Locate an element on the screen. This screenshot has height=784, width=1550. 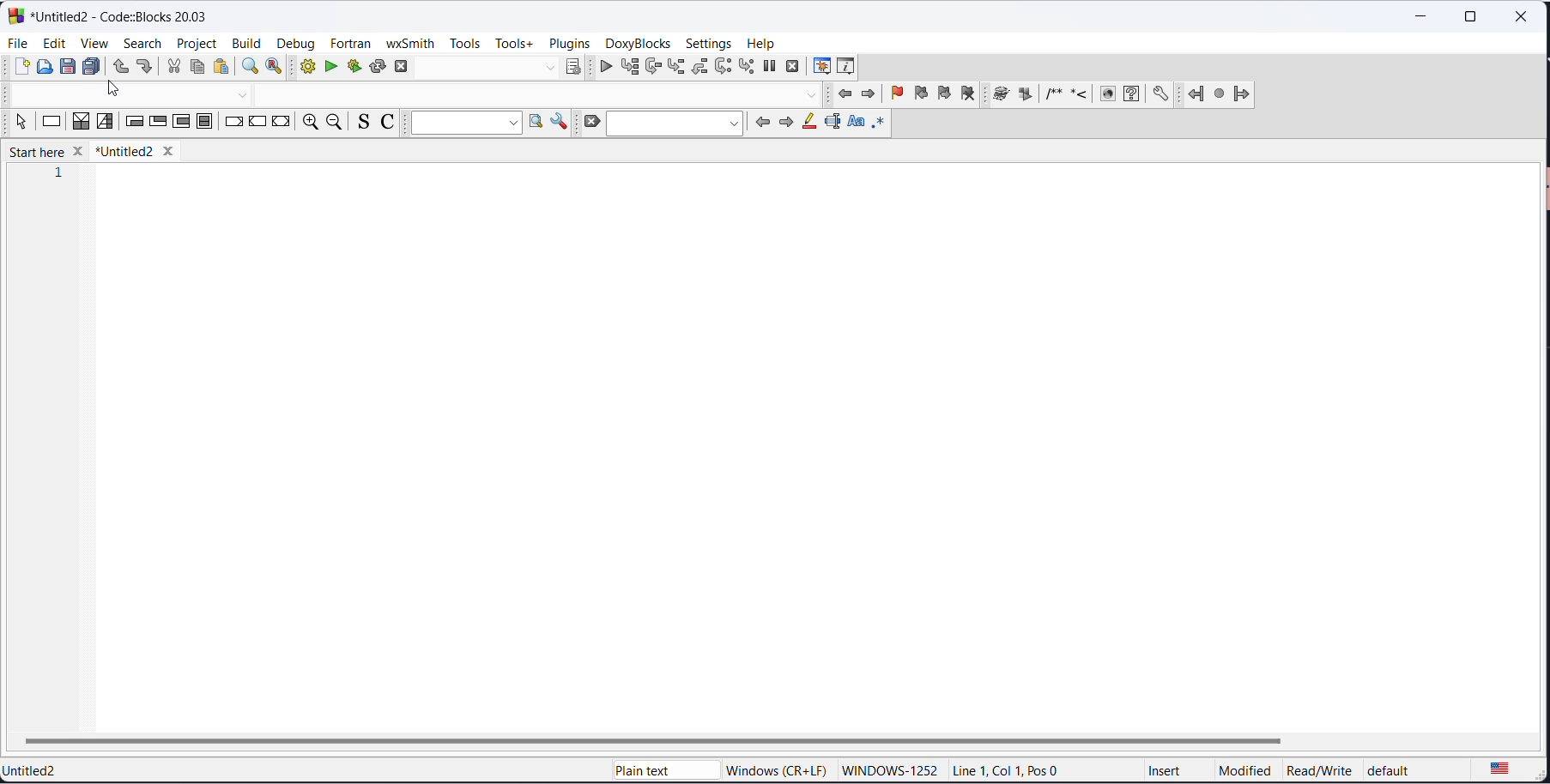
stop debugging is located at coordinates (791, 69).